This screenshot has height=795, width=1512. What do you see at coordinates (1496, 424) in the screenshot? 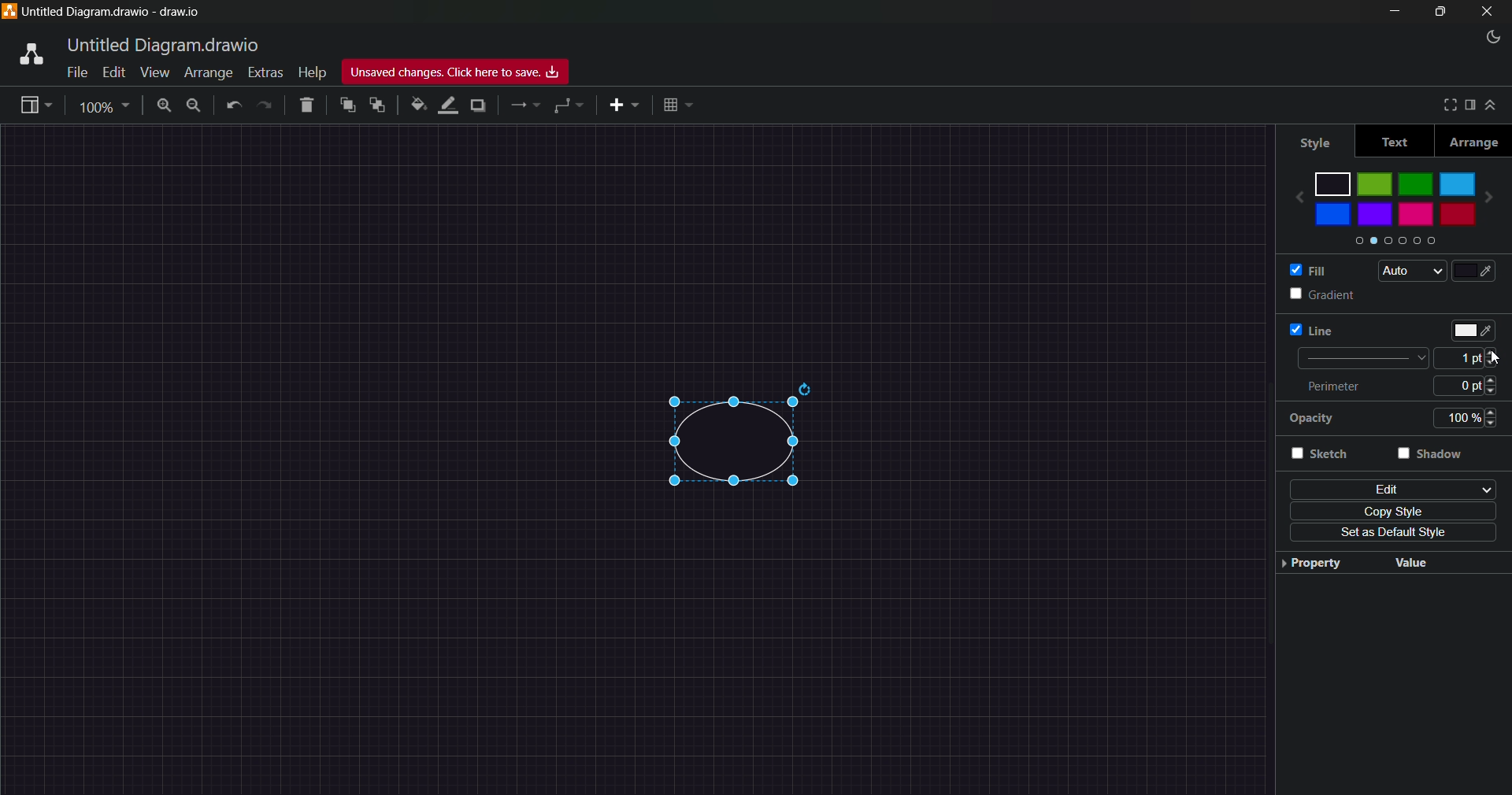
I see `decrease opacity` at bounding box center [1496, 424].